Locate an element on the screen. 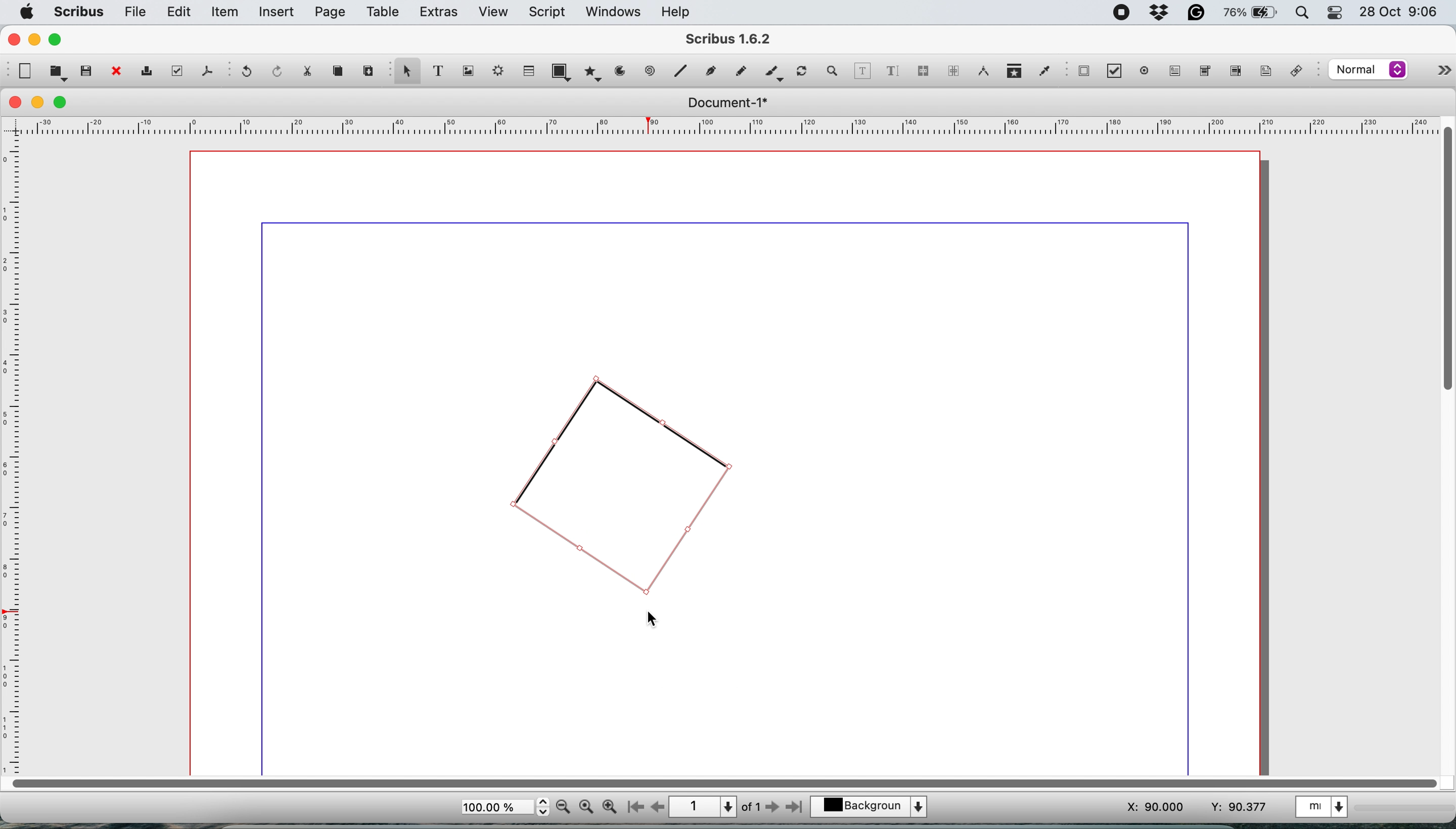 The width and height of the screenshot is (1456, 829). spotlight search is located at coordinates (1298, 13).